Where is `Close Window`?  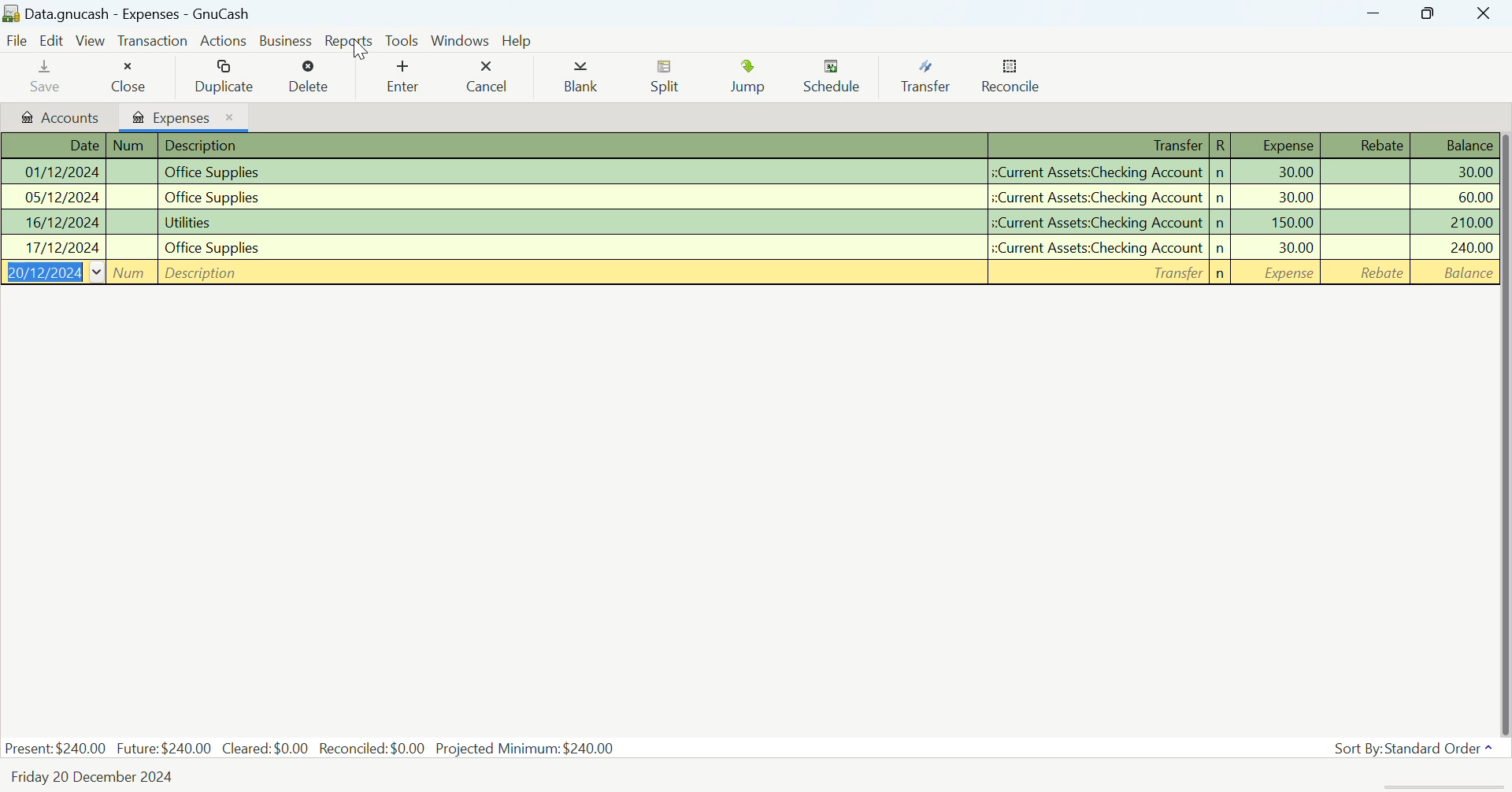
Close Window is located at coordinates (1485, 13).